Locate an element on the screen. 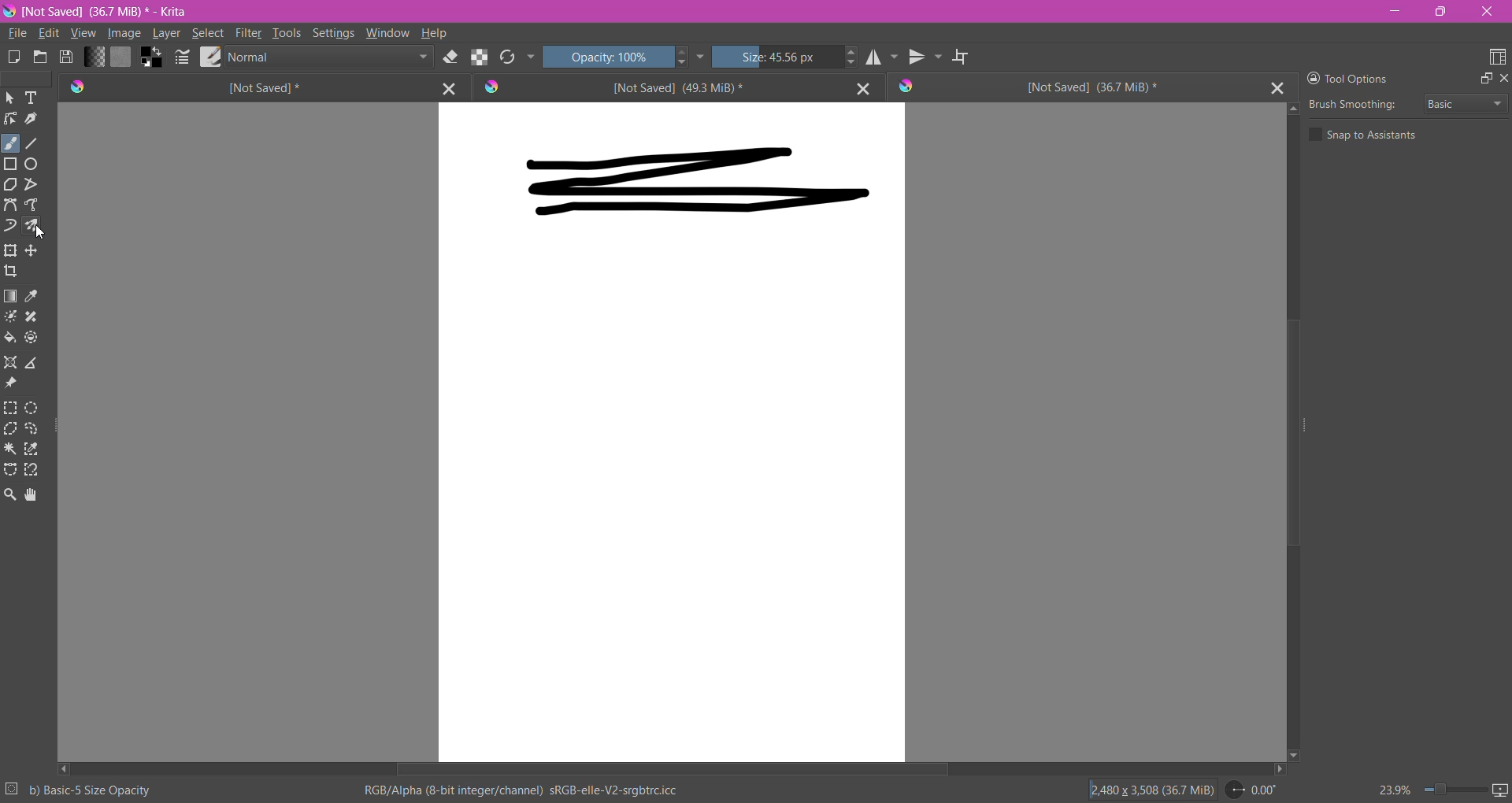  Line Tool is located at coordinates (33, 143).